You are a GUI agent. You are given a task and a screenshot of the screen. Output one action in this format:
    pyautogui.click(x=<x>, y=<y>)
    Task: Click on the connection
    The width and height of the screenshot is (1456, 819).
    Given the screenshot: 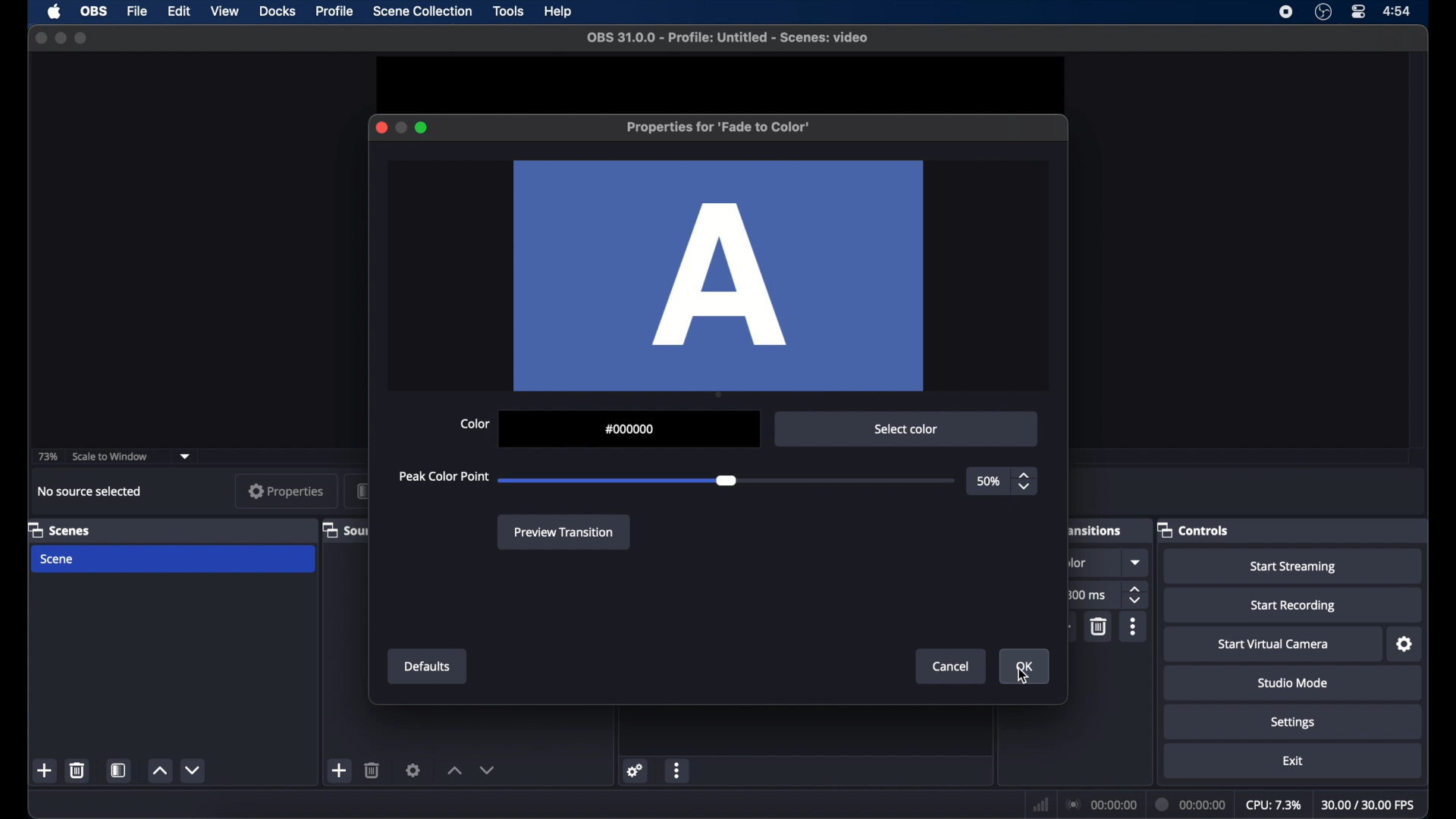 What is the action you would take?
    pyautogui.click(x=1100, y=805)
    